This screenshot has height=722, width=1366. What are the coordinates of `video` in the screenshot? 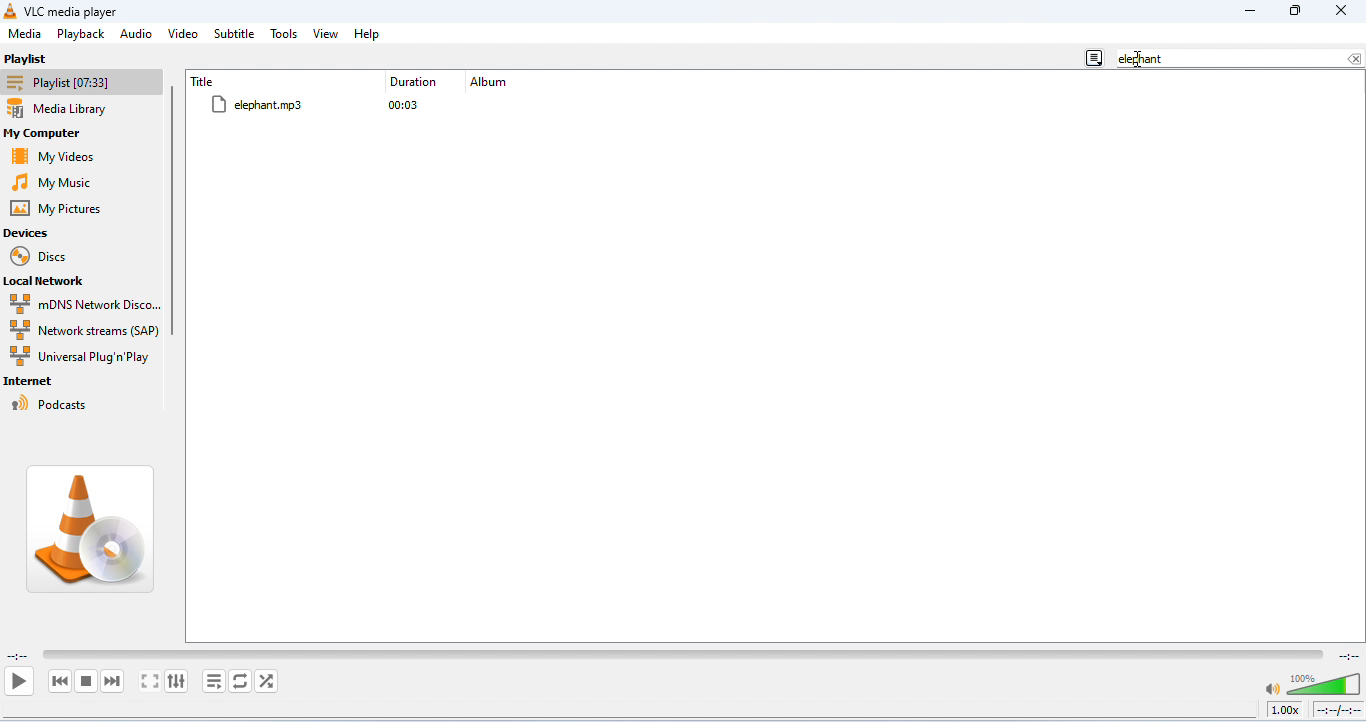 It's located at (183, 32).